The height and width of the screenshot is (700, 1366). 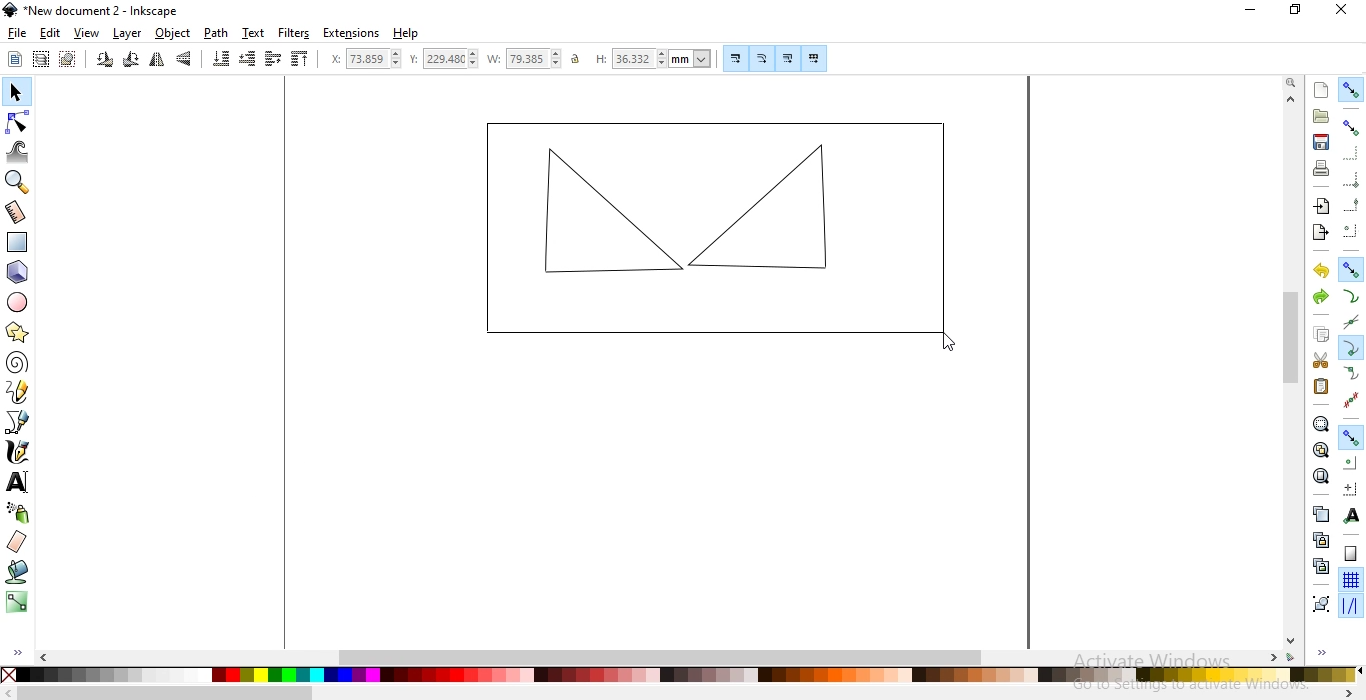 I want to click on zoom, so click(x=1289, y=83).